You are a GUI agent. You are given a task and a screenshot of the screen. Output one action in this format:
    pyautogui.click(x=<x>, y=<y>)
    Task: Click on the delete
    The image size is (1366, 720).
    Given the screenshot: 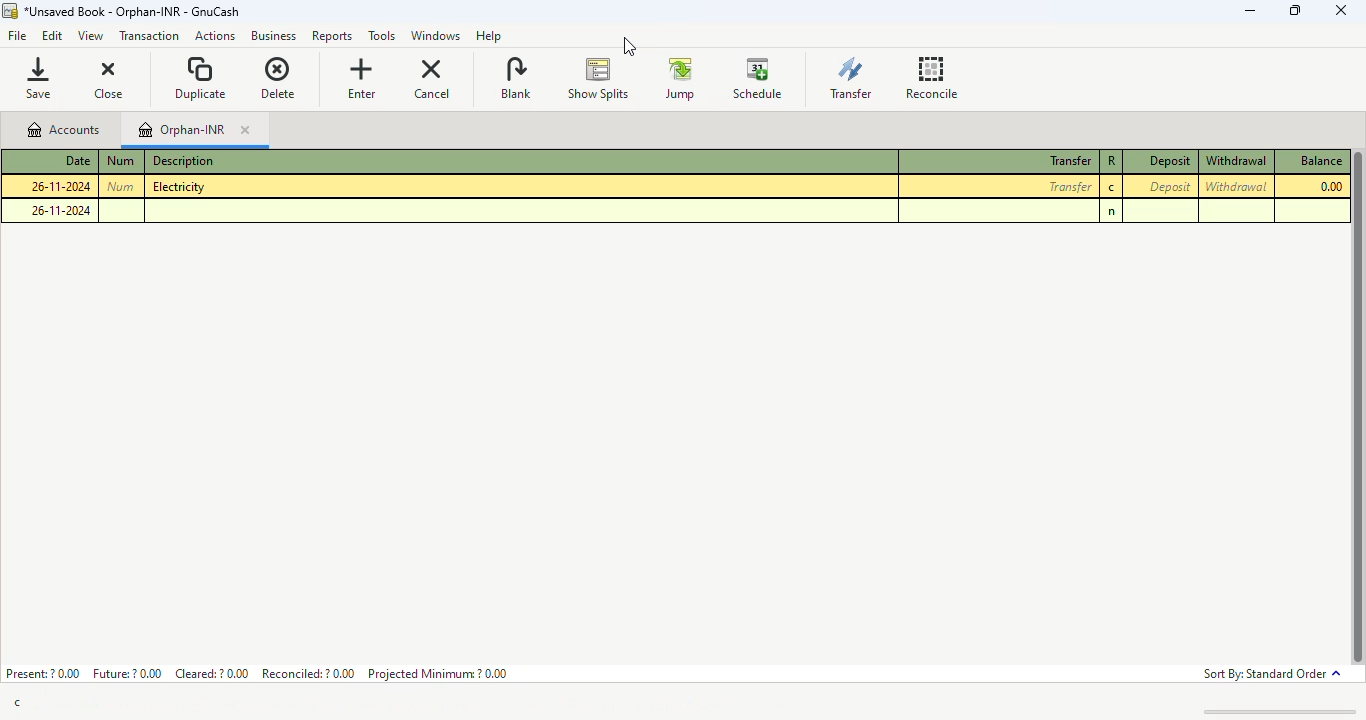 What is the action you would take?
    pyautogui.click(x=278, y=78)
    